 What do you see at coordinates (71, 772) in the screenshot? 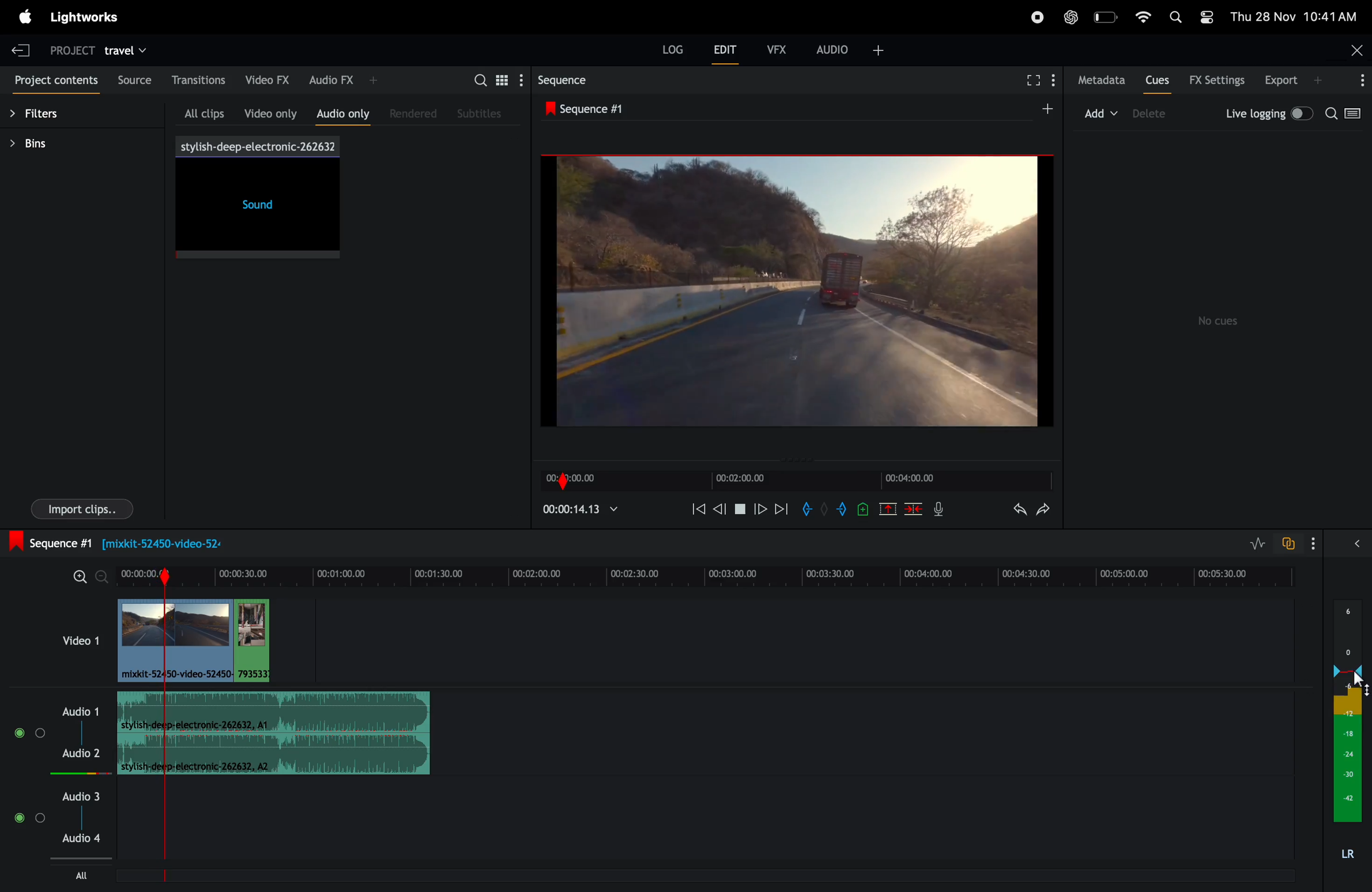
I see `Audio level` at bounding box center [71, 772].